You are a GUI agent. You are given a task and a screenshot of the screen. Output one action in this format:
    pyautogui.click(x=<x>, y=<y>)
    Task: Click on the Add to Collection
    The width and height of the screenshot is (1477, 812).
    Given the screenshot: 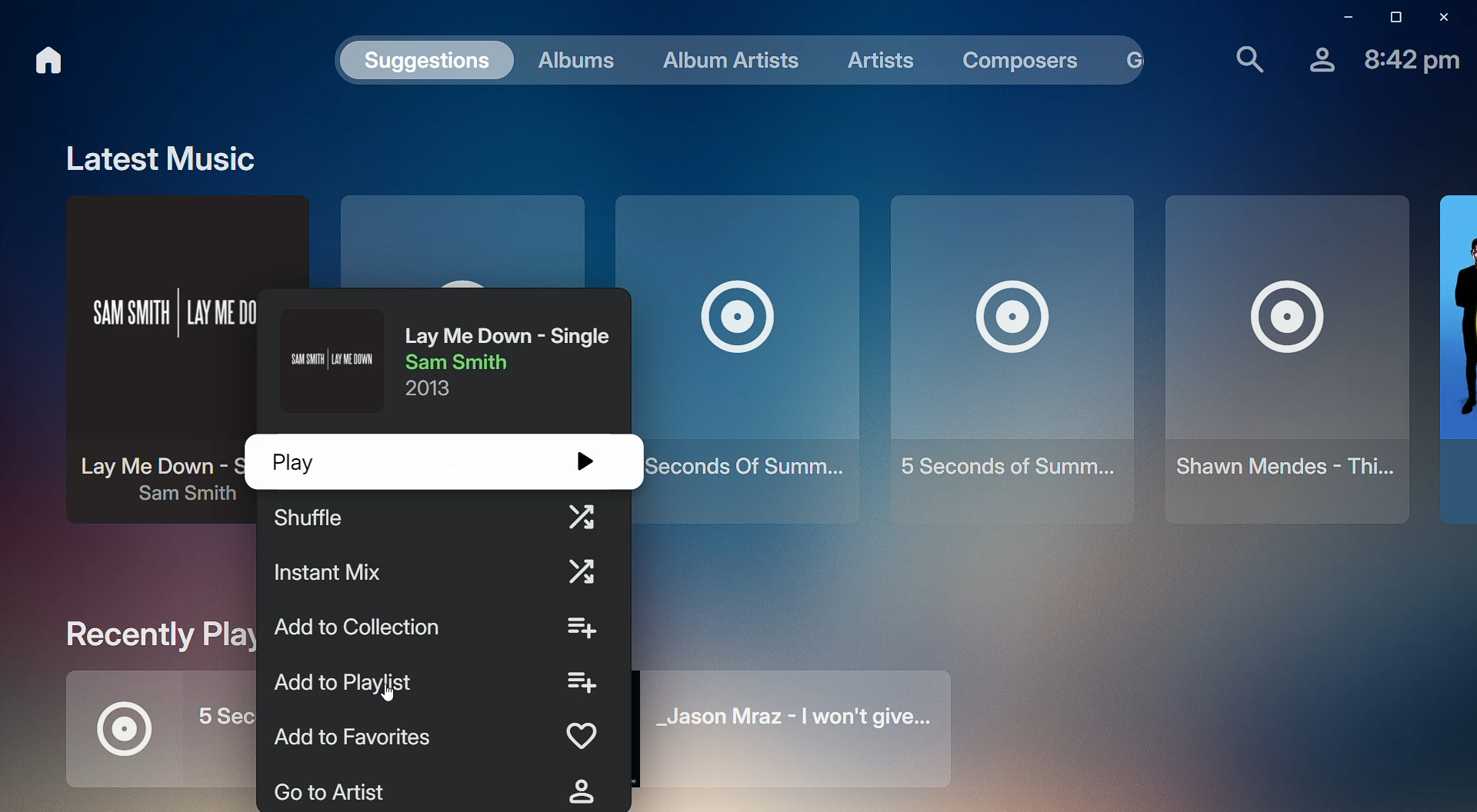 What is the action you would take?
    pyautogui.click(x=438, y=630)
    